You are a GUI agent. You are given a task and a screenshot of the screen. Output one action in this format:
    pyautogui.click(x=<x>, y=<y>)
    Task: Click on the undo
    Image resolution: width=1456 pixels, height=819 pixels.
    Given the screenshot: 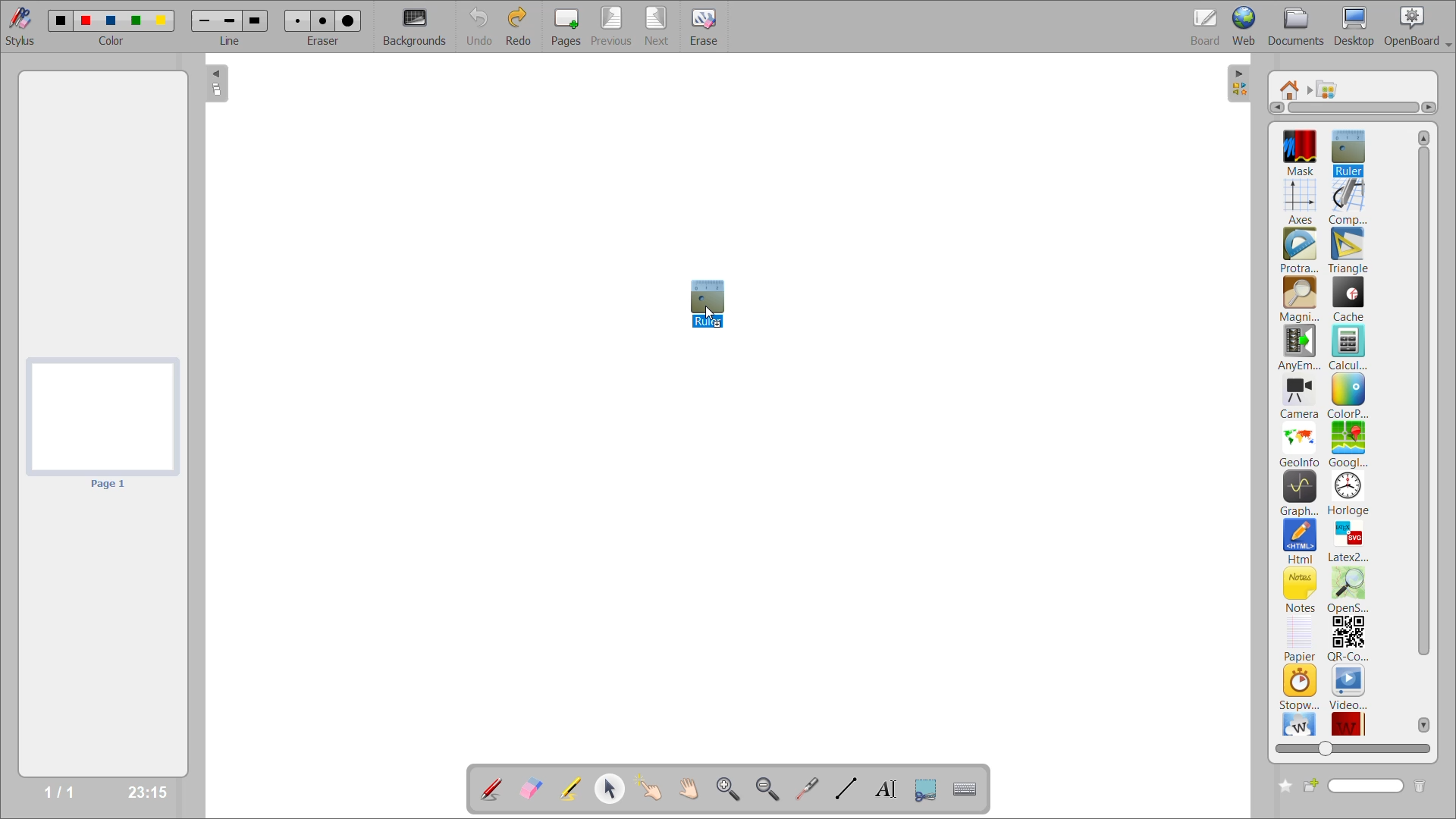 What is the action you would take?
    pyautogui.click(x=481, y=25)
    